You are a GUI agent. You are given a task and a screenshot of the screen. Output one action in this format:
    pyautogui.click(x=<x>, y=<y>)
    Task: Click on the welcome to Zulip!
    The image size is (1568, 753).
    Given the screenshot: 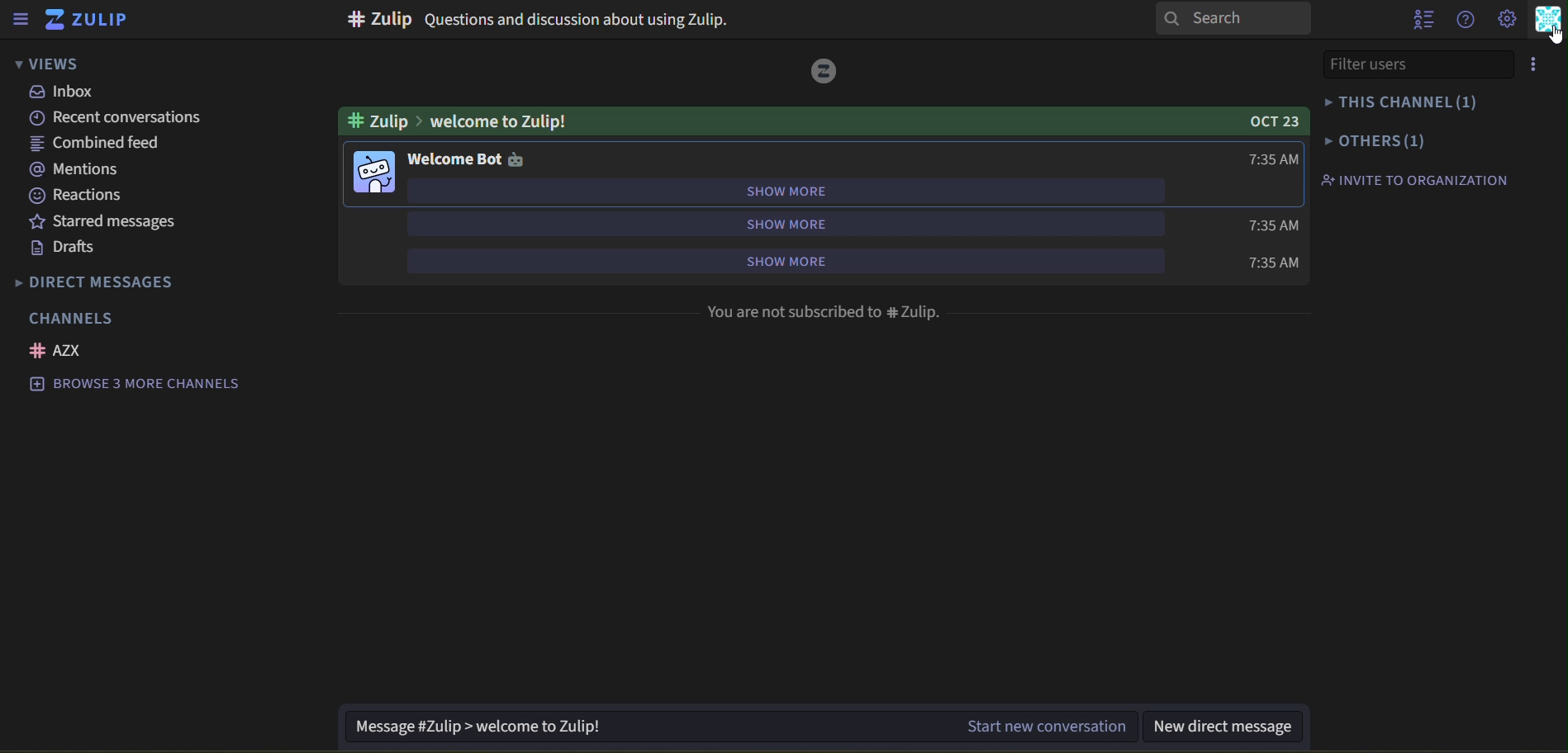 What is the action you would take?
    pyautogui.click(x=456, y=121)
    